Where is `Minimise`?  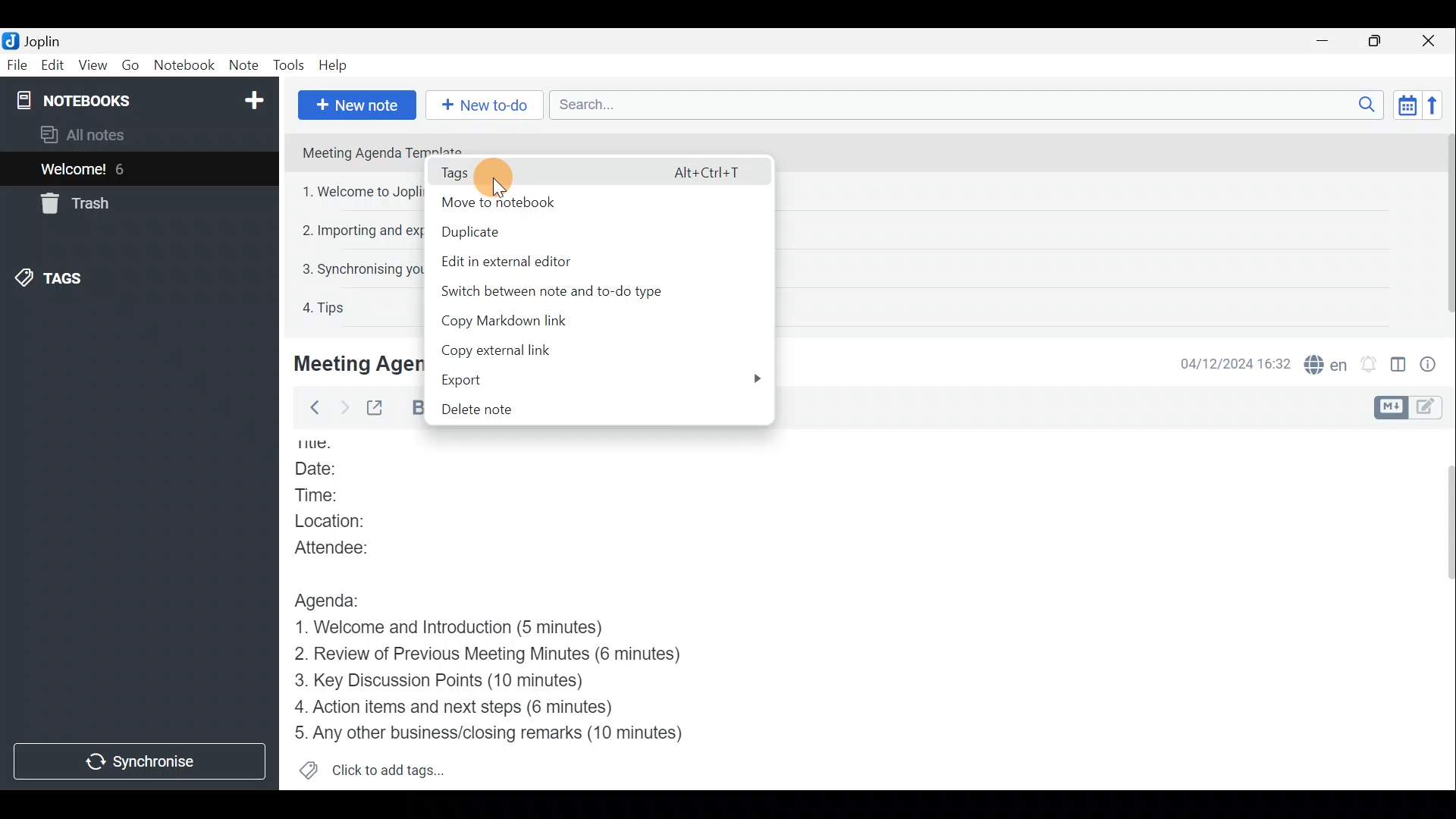 Minimise is located at coordinates (1325, 40).